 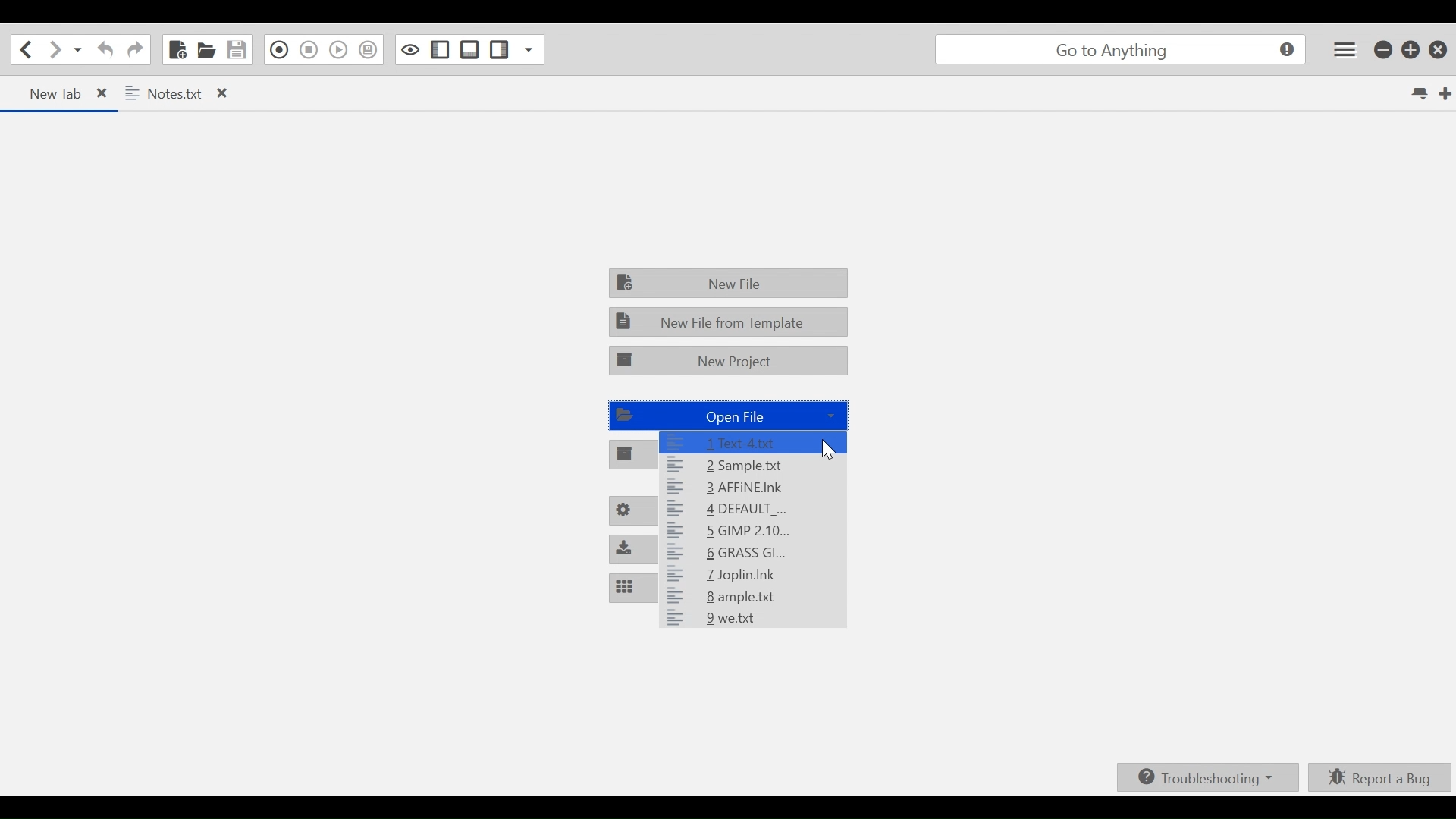 I want to click on Recording in Macro, so click(x=276, y=50).